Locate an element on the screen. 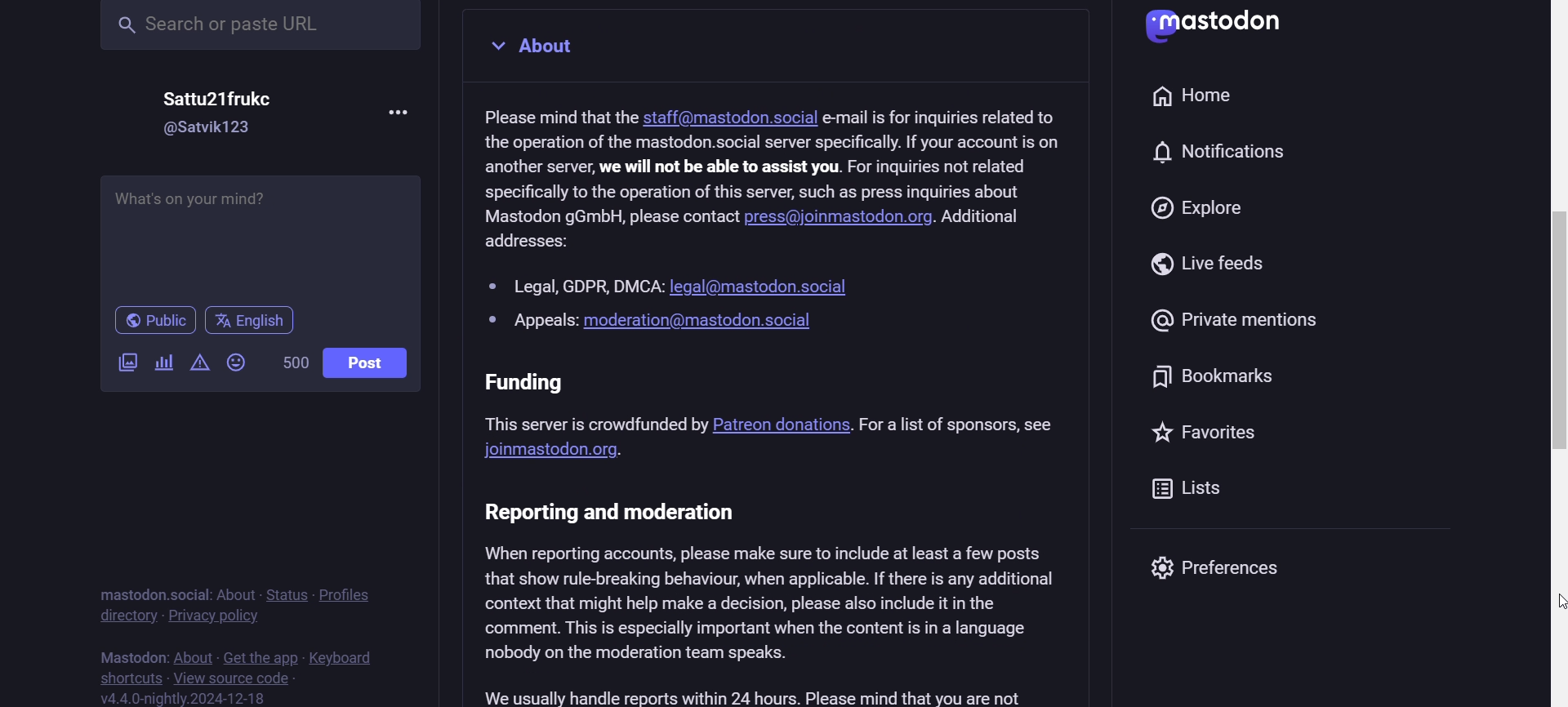 The width and height of the screenshot is (1568, 707). Reporting and moderation information is located at coordinates (777, 602).